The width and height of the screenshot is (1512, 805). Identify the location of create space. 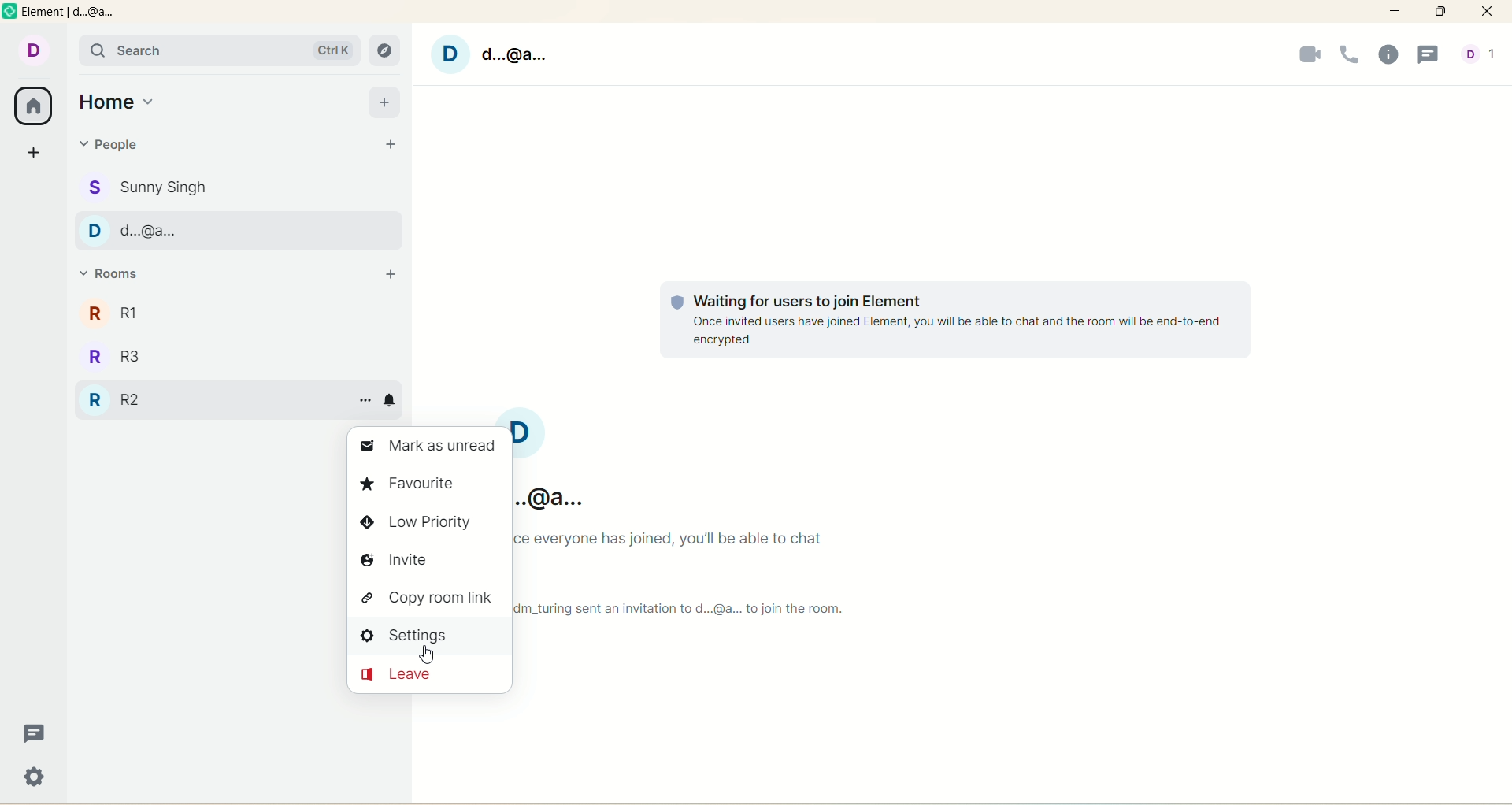
(34, 152).